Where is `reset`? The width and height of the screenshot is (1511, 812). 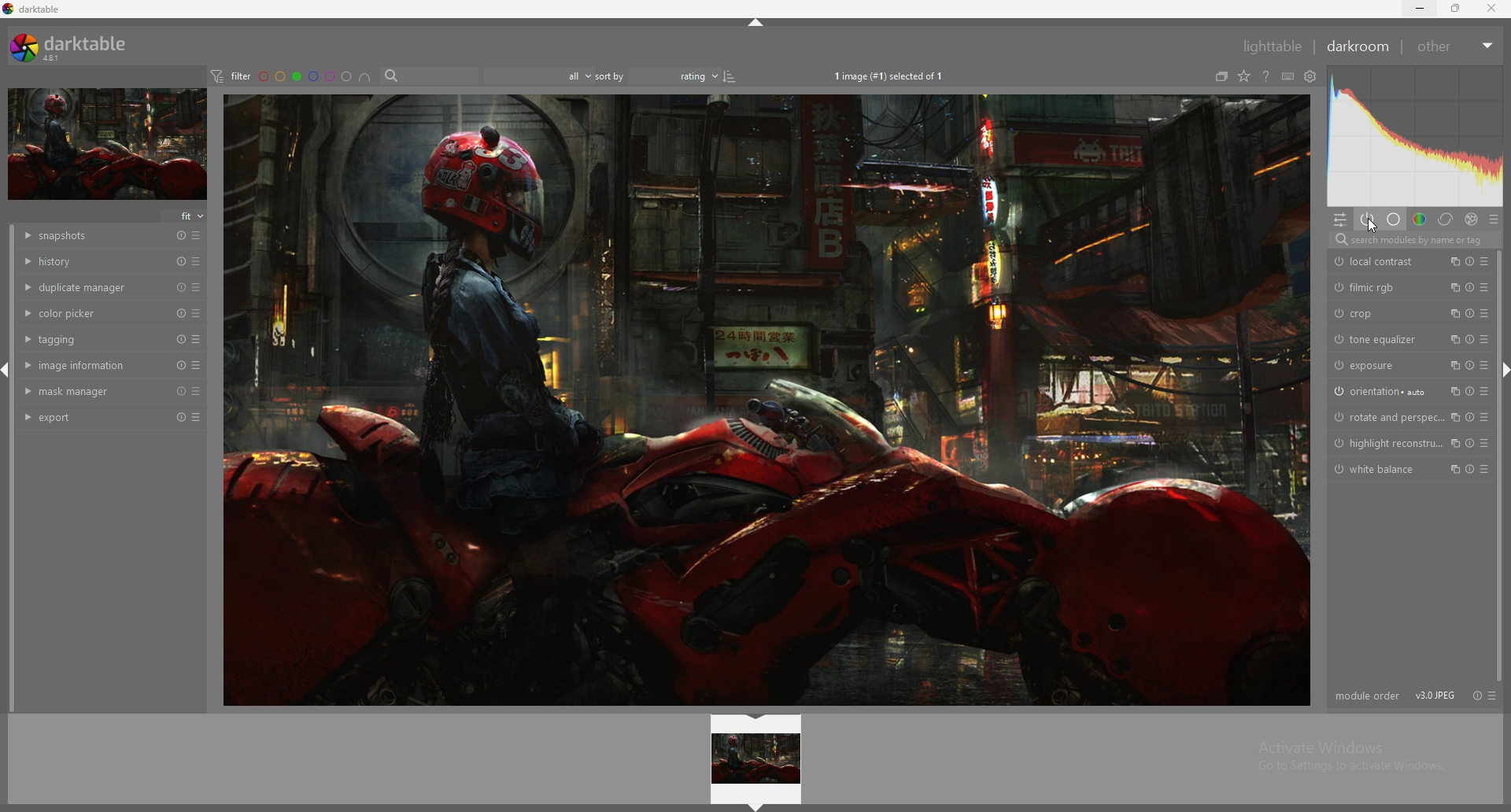 reset is located at coordinates (181, 287).